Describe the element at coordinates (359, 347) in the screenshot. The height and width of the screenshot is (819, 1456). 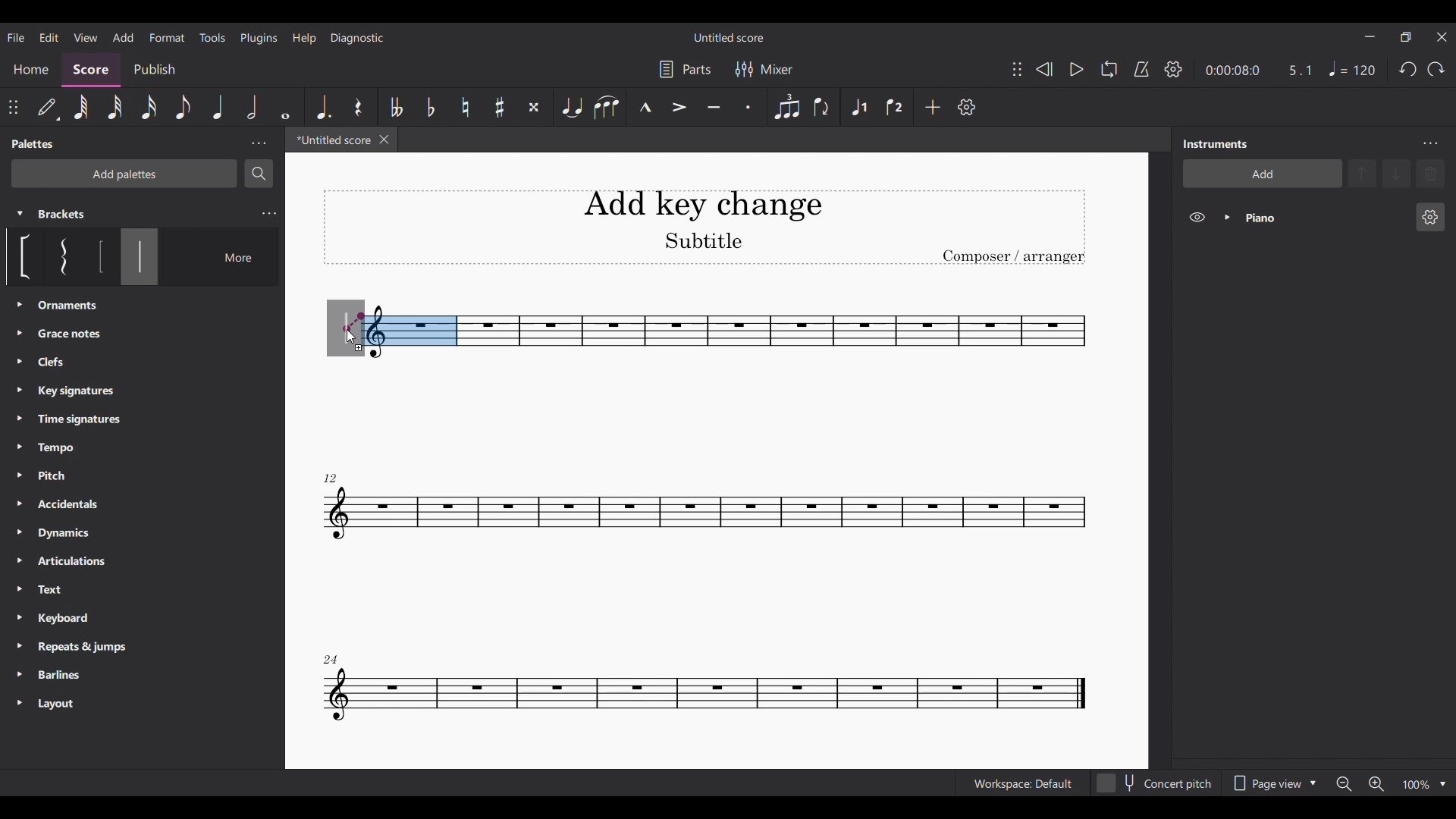
I see `Indicates addition` at that location.